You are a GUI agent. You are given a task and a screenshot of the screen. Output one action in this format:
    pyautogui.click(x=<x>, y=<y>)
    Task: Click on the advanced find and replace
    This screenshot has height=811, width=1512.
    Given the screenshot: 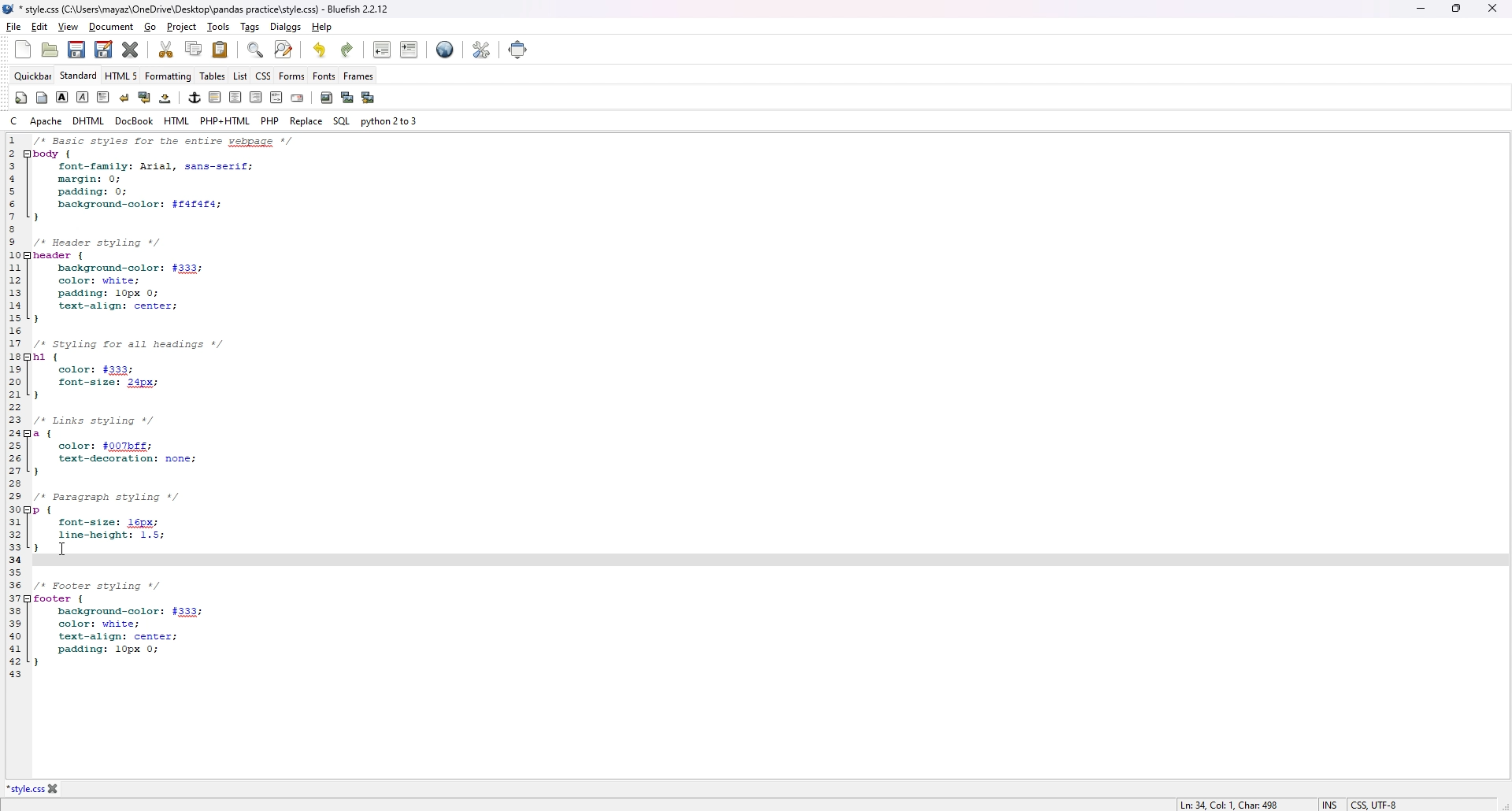 What is the action you would take?
    pyautogui.click(x=284, y=49)
    